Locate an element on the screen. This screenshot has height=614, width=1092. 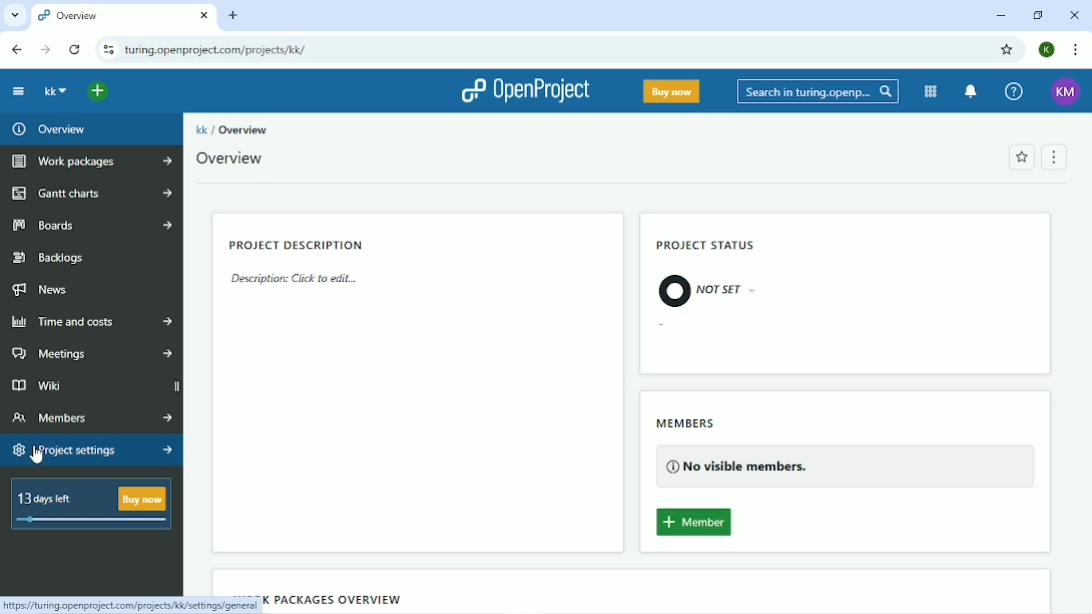
Restore down is located at coordinates (1041, 16).